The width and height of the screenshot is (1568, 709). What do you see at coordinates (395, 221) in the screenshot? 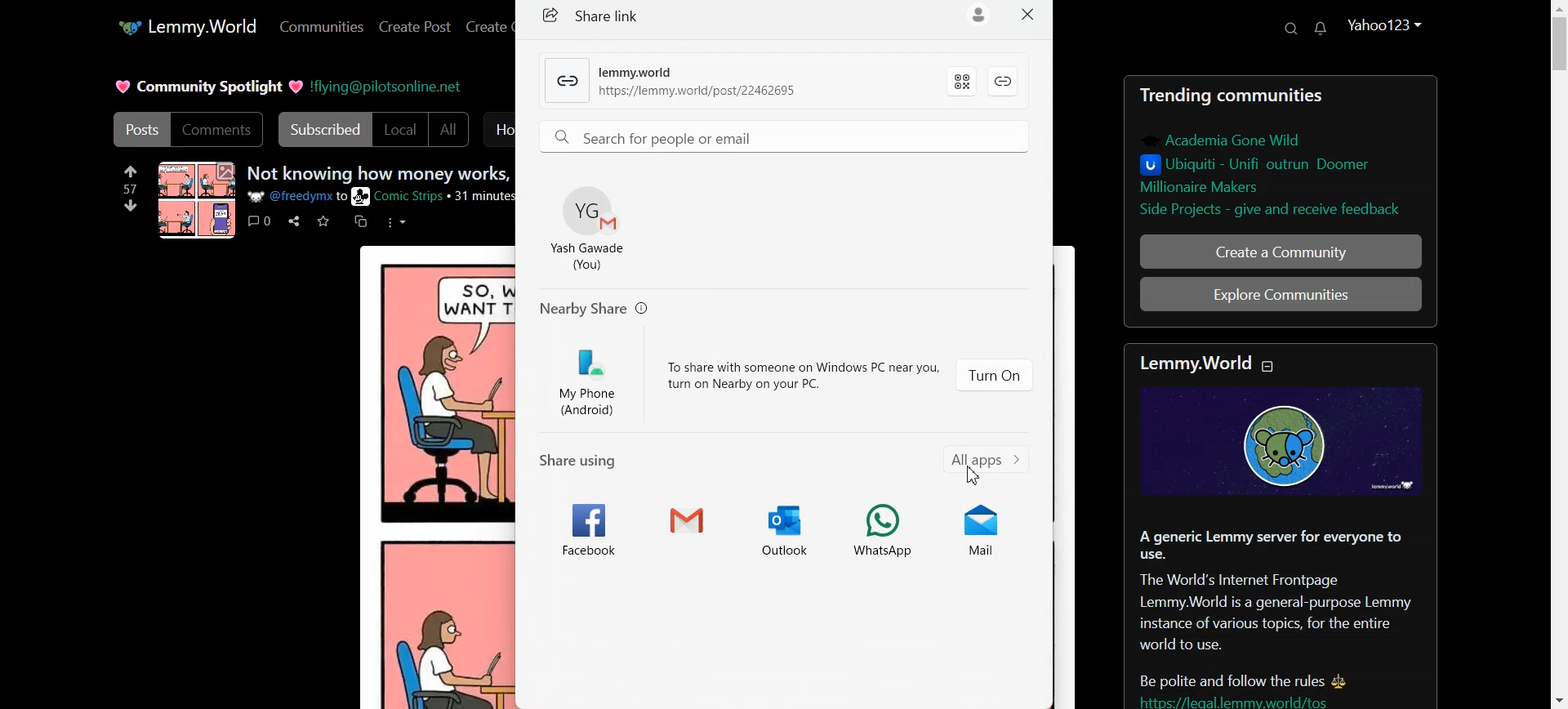
I see `More` at bounding box center [395, 221].